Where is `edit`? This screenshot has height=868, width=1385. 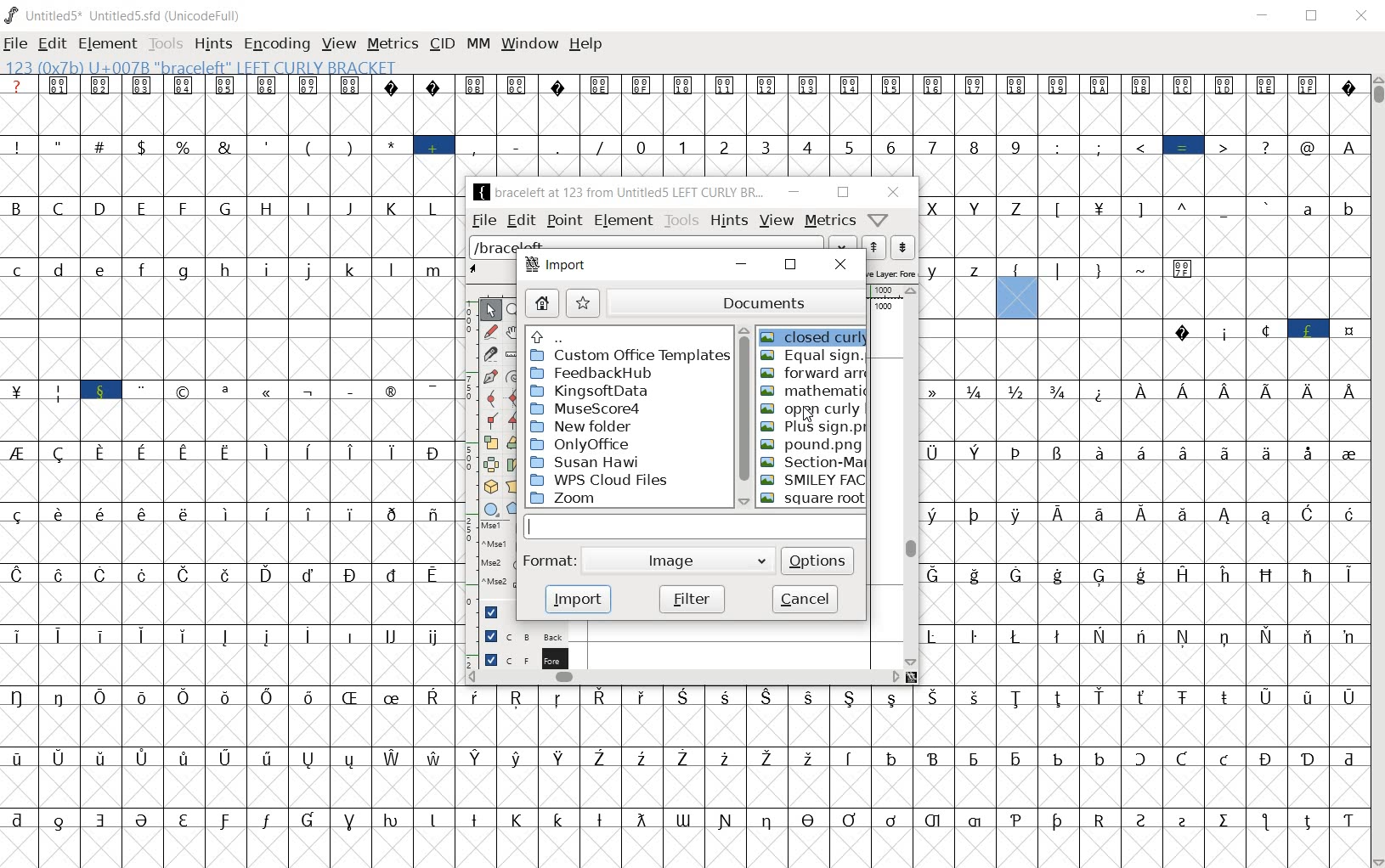
edit is located at coordinates (51, 46).